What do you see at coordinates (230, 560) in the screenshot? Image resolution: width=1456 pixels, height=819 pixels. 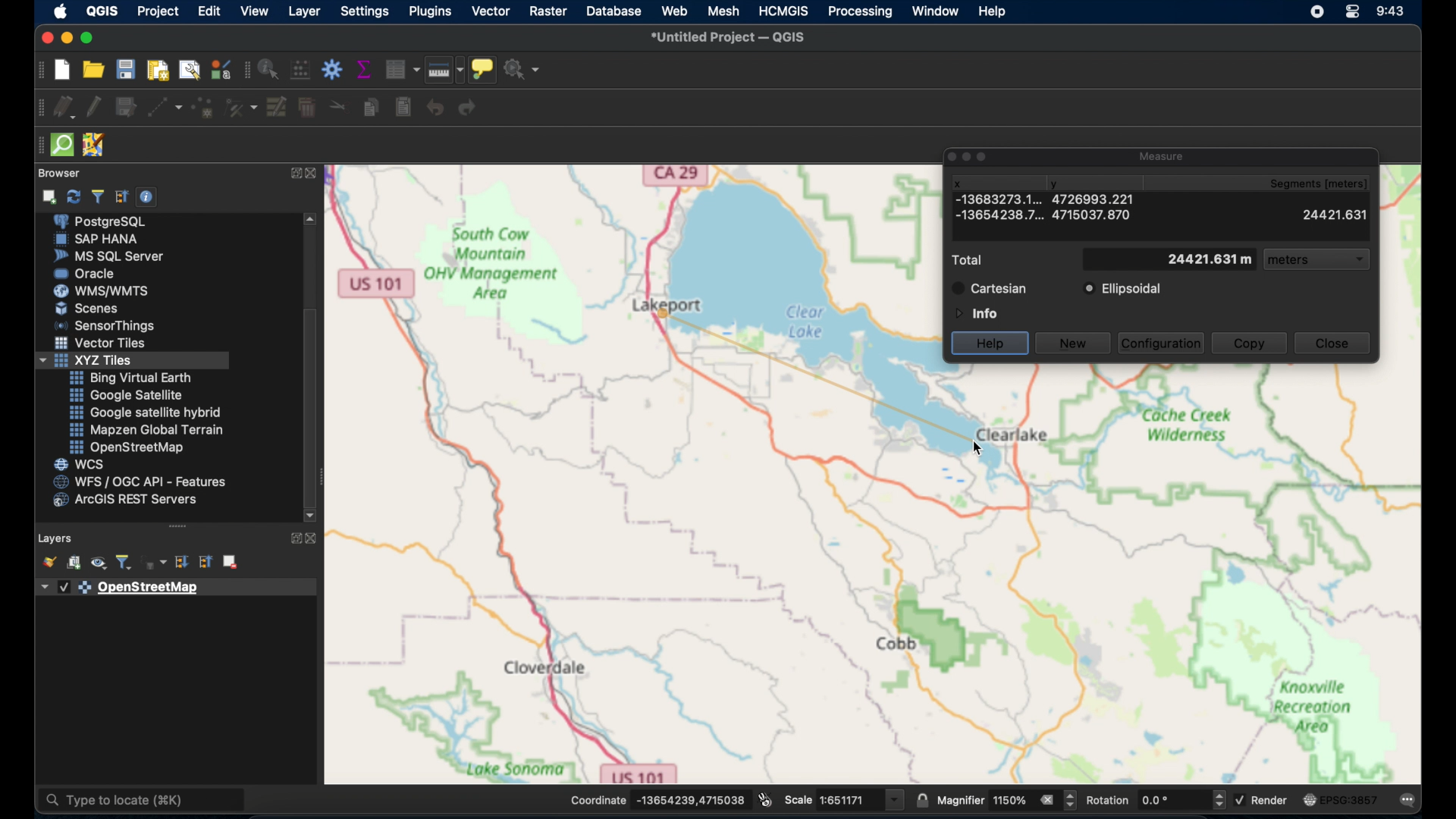 I see `remove layer` at bounding box center [230, 560].